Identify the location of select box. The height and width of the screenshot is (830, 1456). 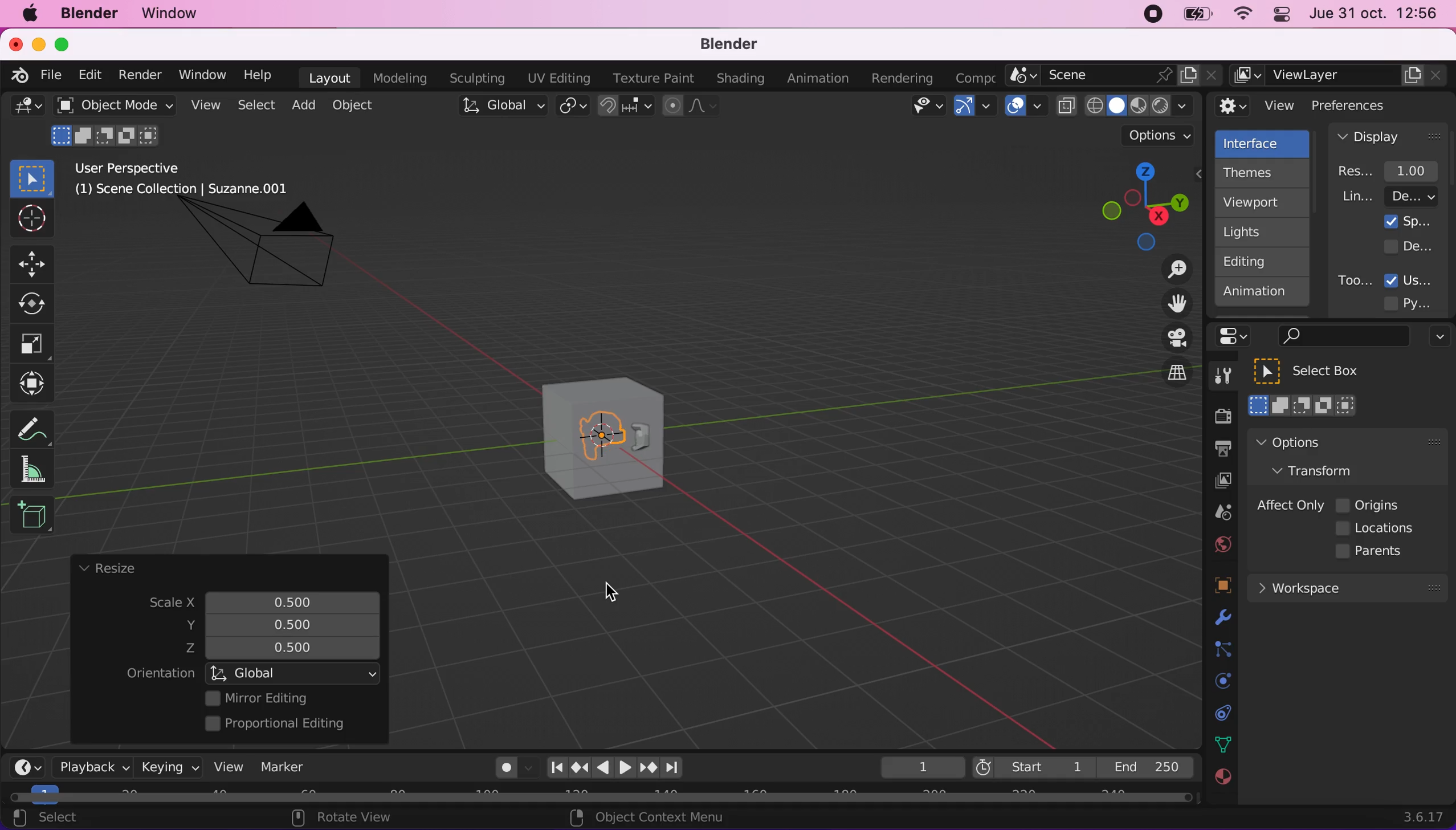
(1321, 371).